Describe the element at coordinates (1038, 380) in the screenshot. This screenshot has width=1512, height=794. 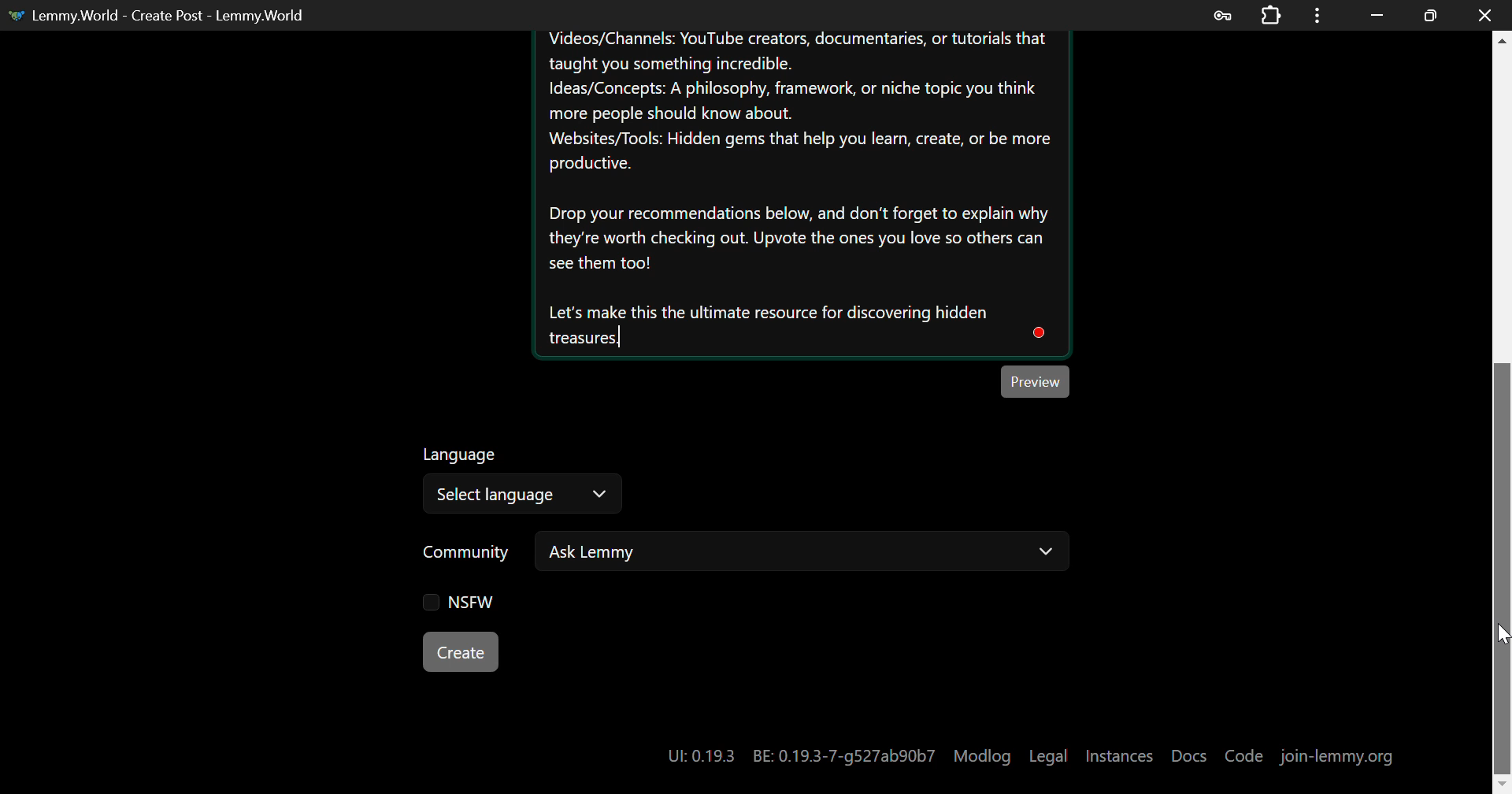
I see `Preview` at that location.